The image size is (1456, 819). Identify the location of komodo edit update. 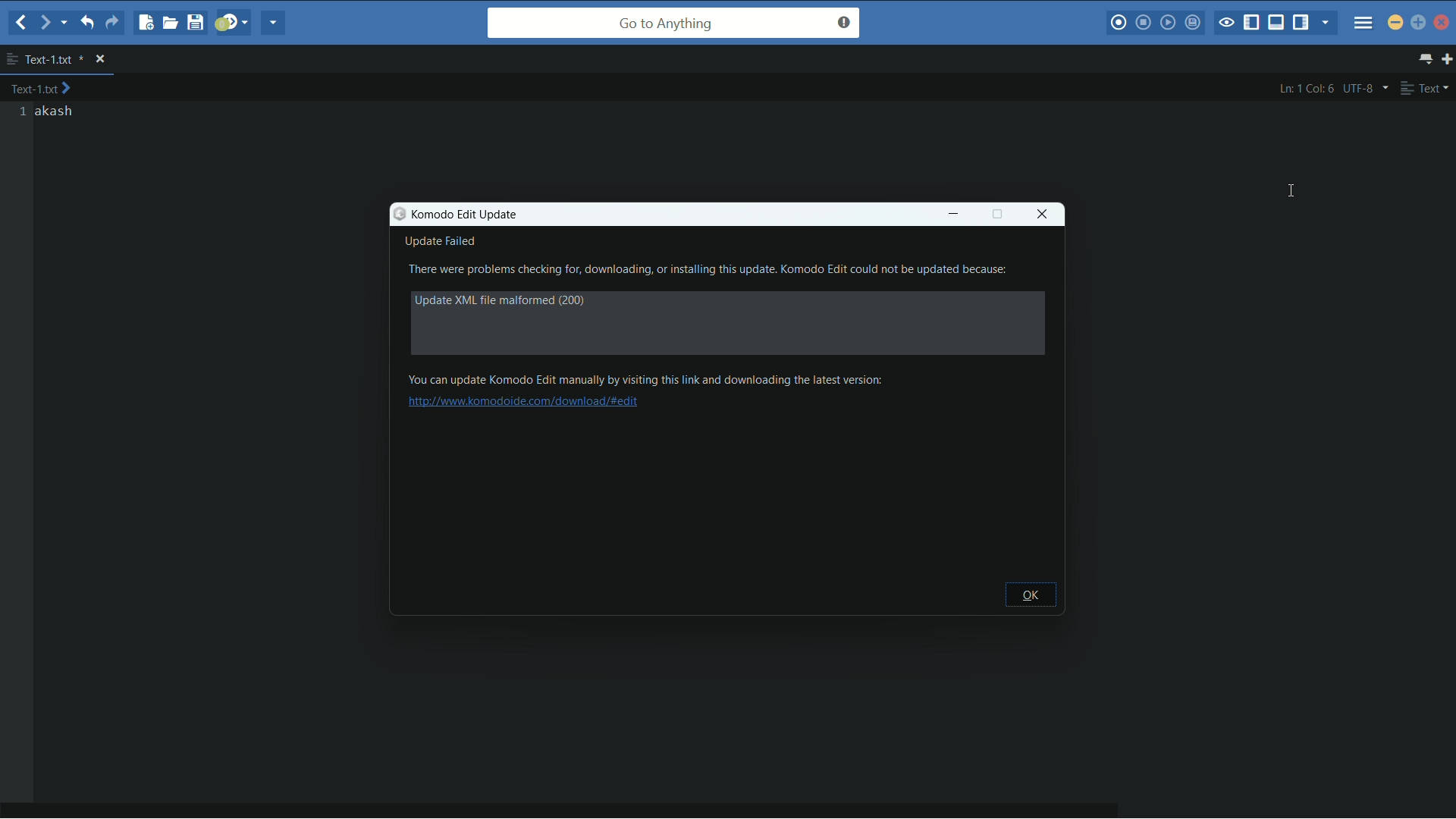
(467, 214).